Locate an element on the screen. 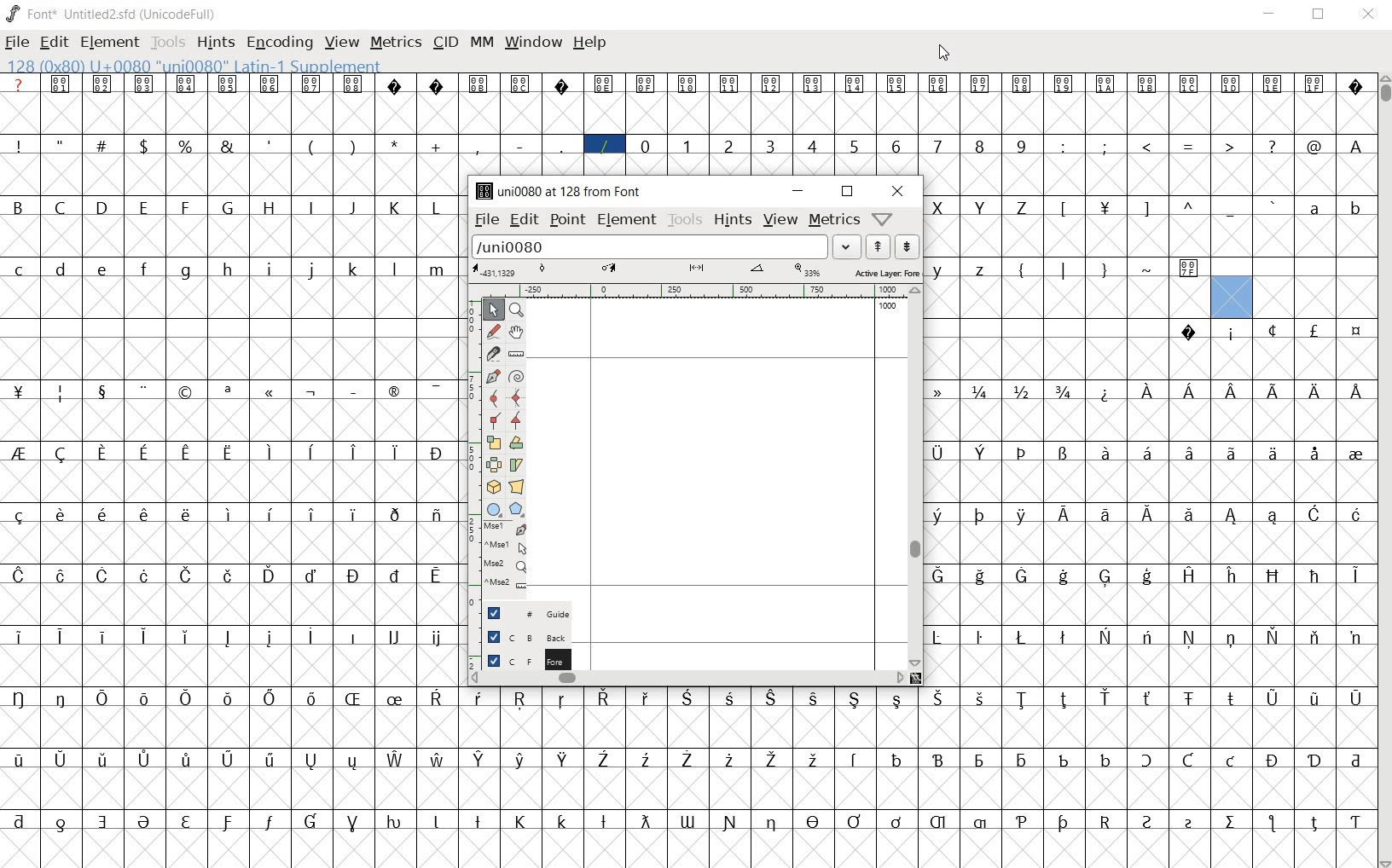 The height and width of the screenshot is (868, 1392). glyph is located at coordinates (1273, 330).